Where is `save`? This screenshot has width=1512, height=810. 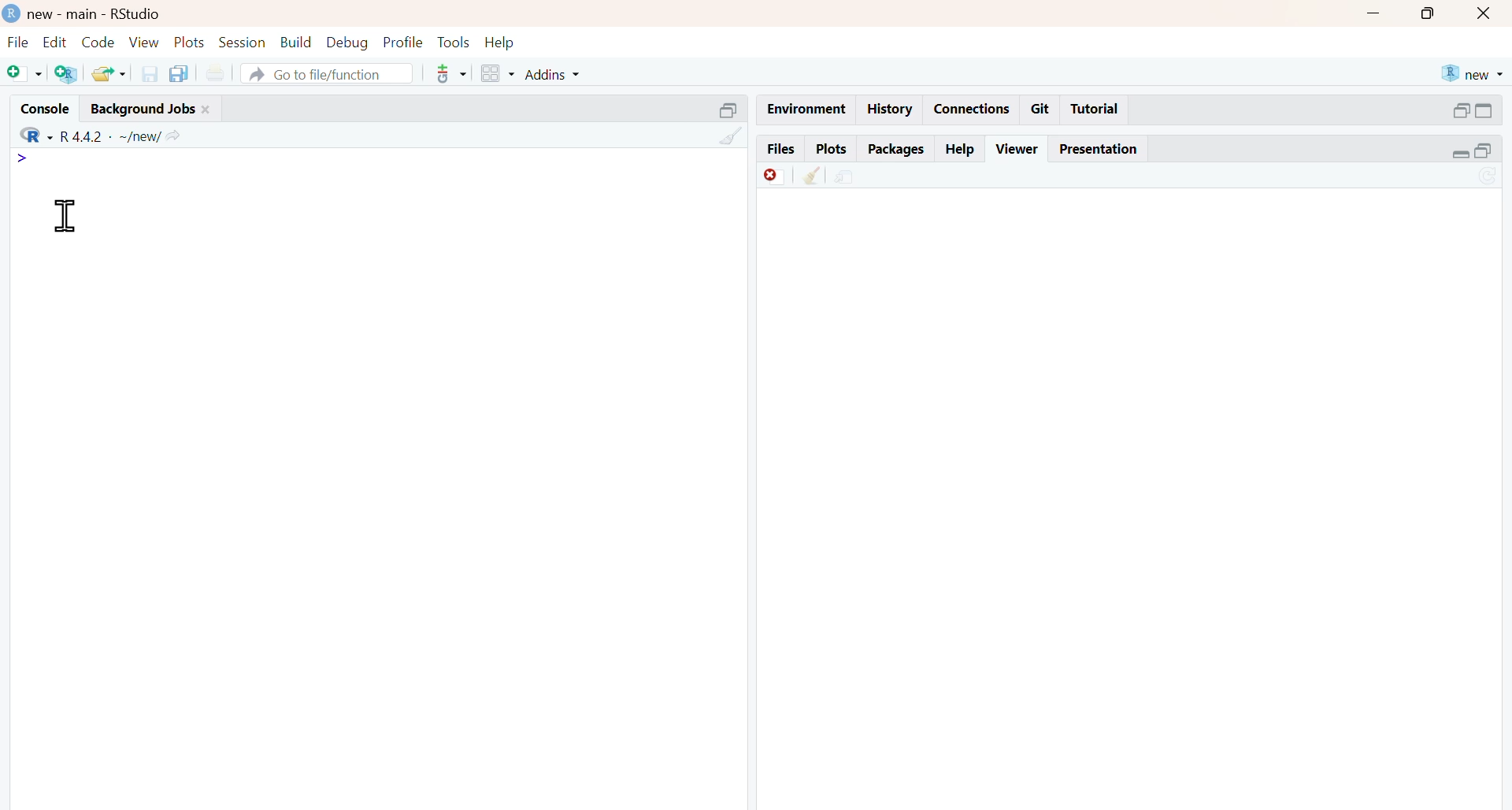 save is located at coordinates (150, 74).